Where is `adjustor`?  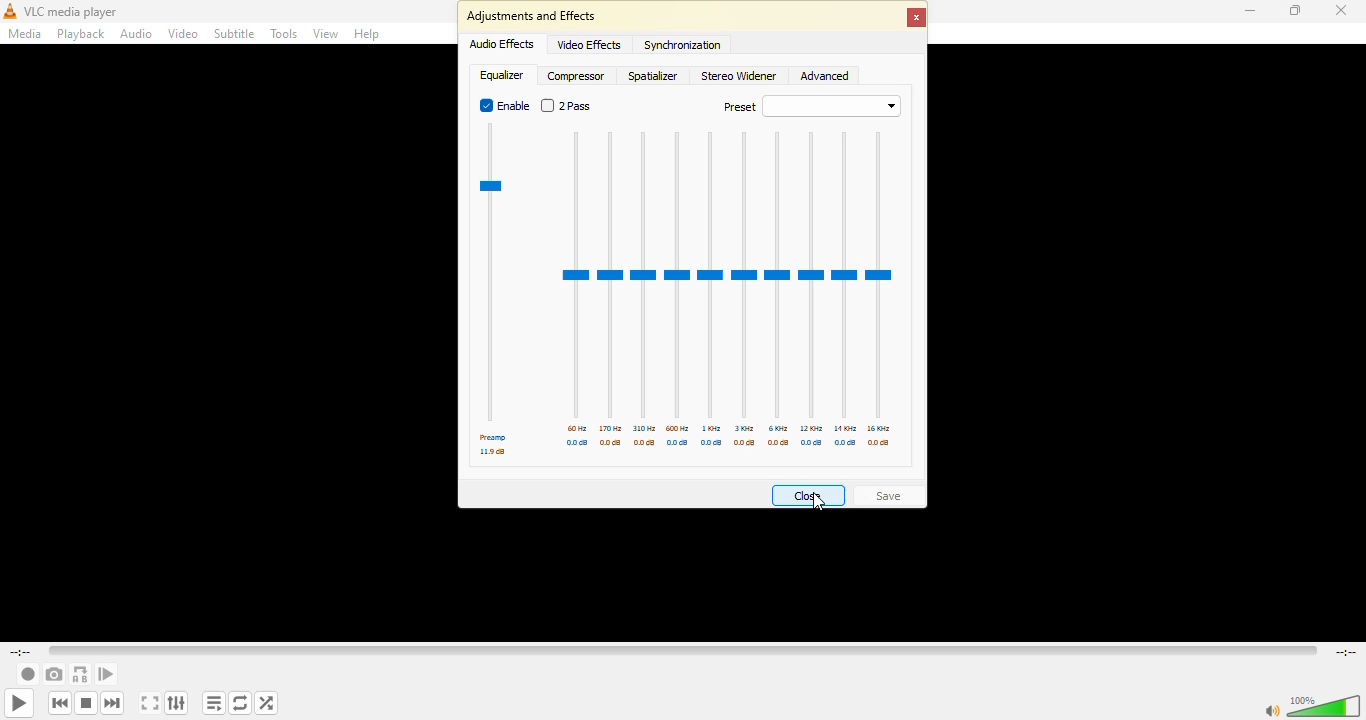 adjustor is located at coordinates (777, 275).